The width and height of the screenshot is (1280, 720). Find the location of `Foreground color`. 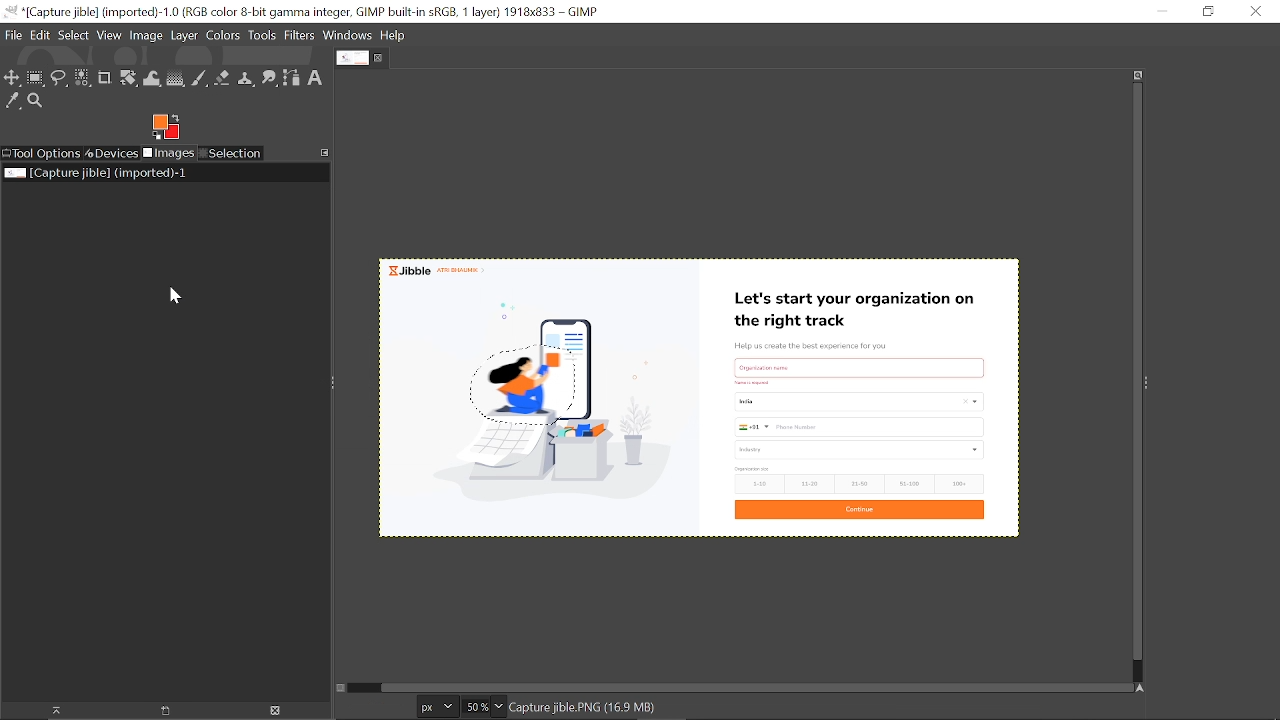

Foreground color is located at coordinates (166, 127).